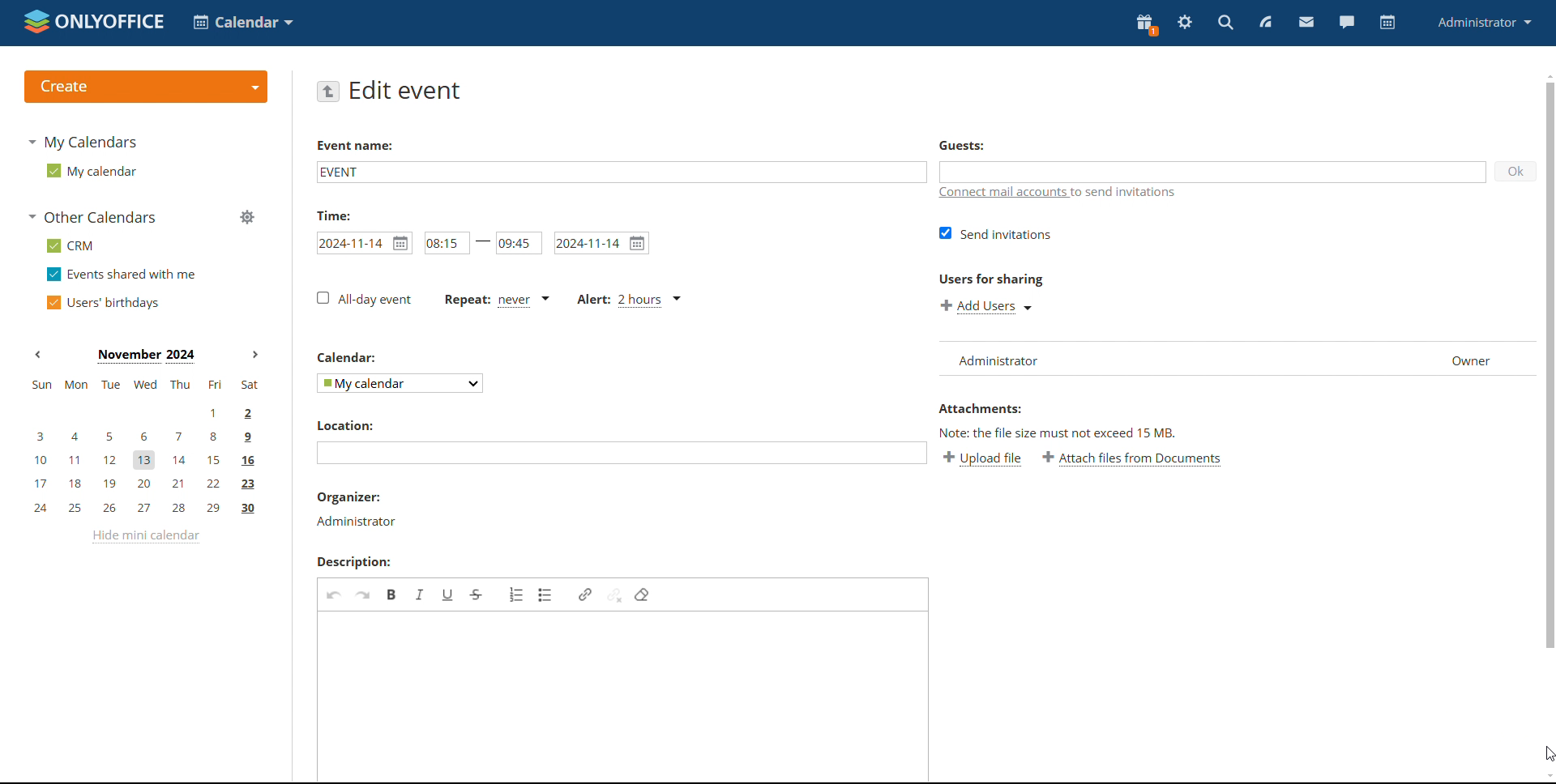 The height and width of the screenshot is (784, 1556). I want to click on remove format, so click(643, 594).